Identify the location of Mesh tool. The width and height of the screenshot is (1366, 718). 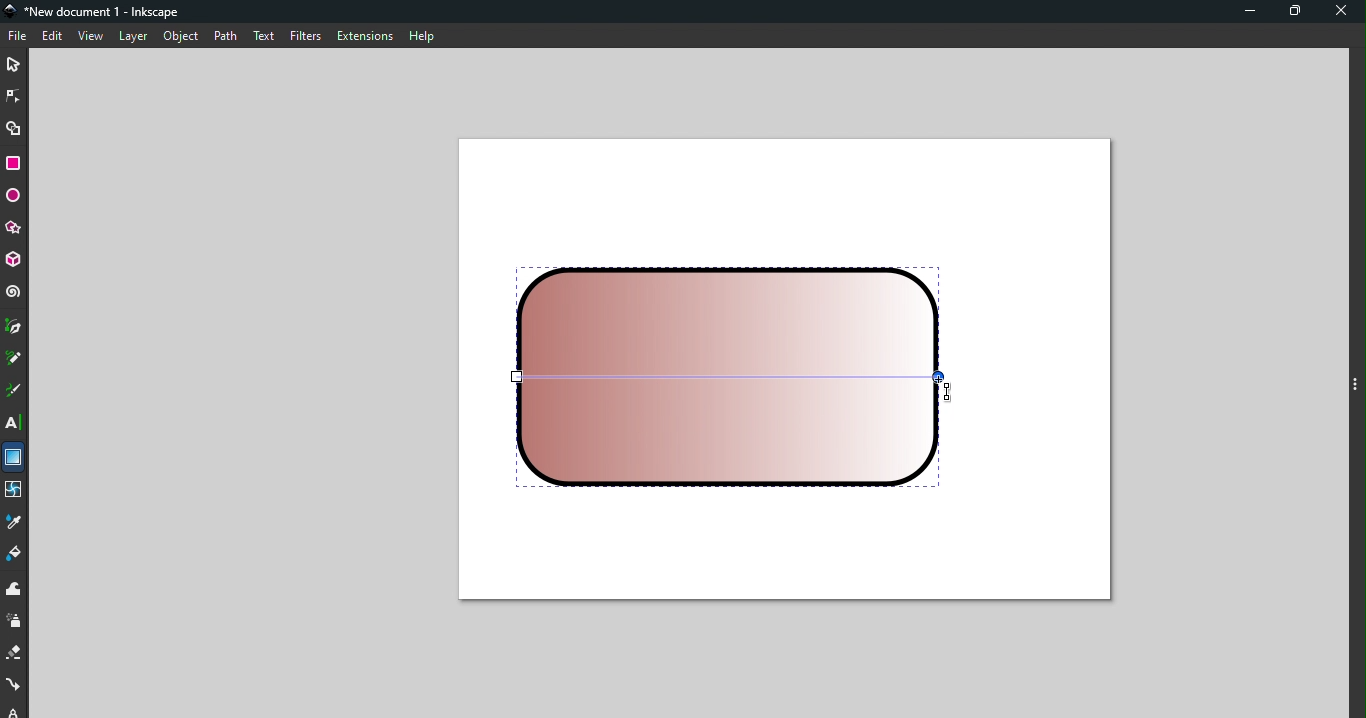
(14, 492).